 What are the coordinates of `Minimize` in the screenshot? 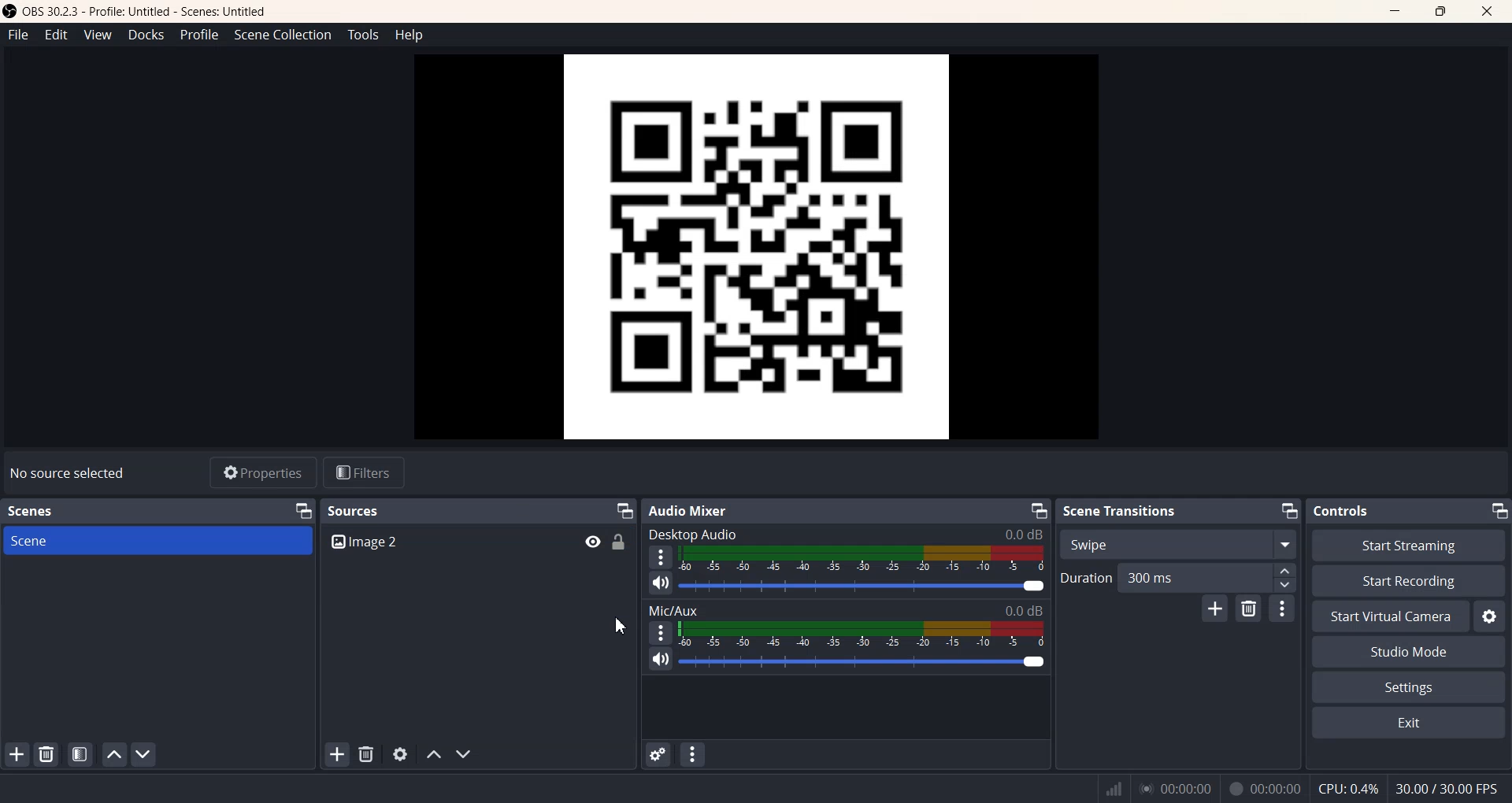 It's located at (1039, 510).